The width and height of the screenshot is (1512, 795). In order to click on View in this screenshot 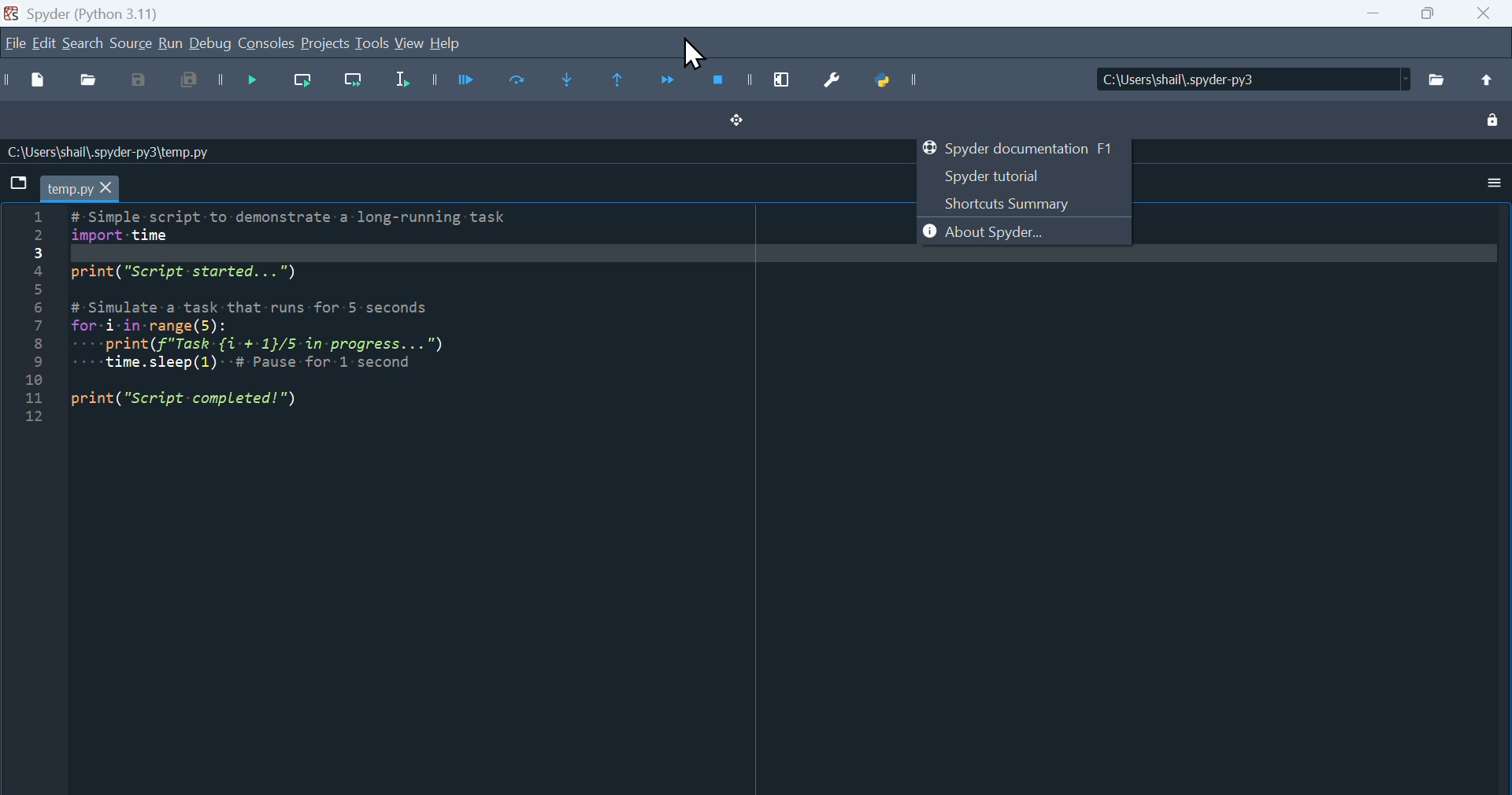, I will do `click(409, 43)`.